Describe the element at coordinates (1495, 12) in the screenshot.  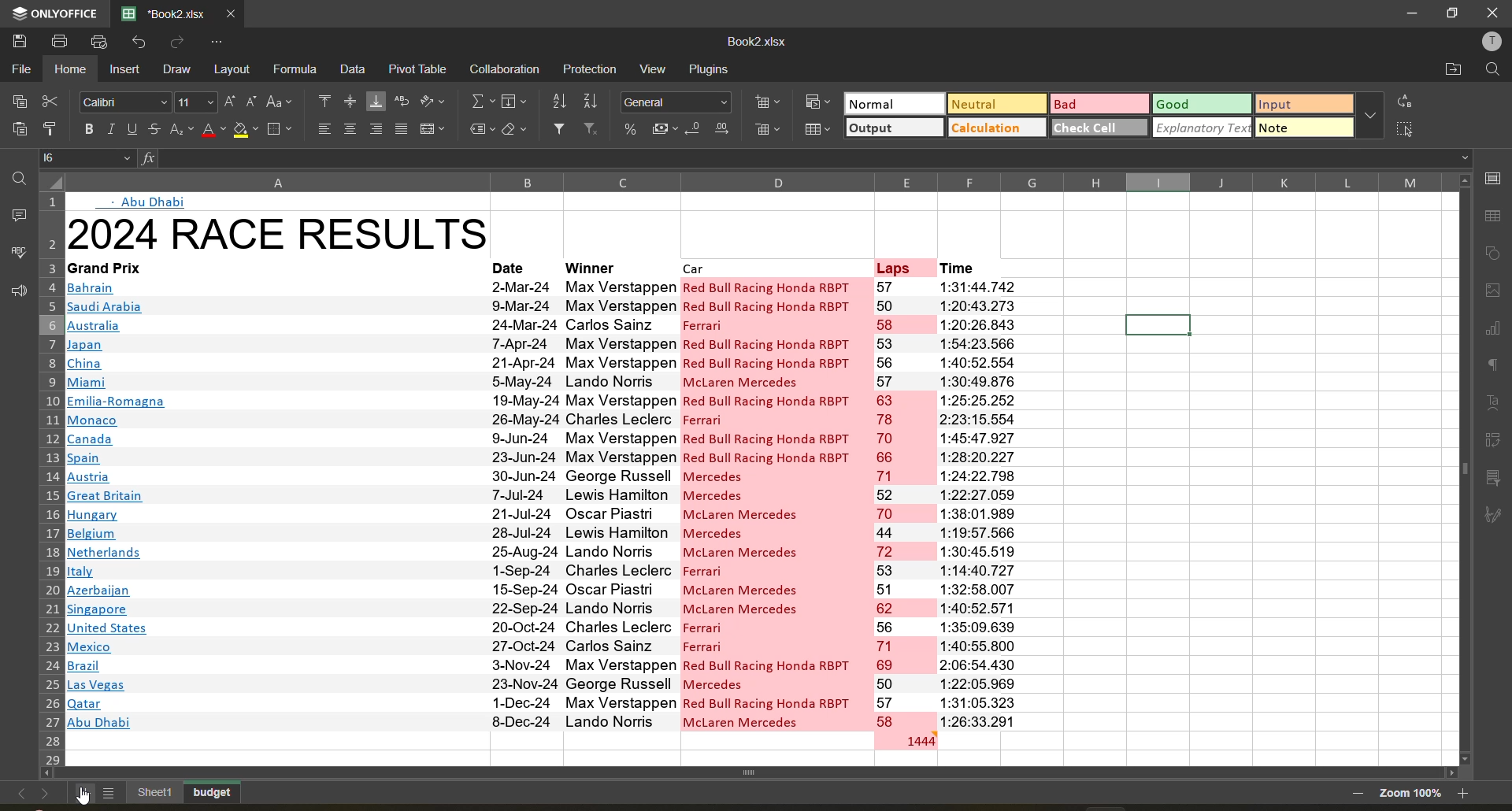
I see `close` at that location.